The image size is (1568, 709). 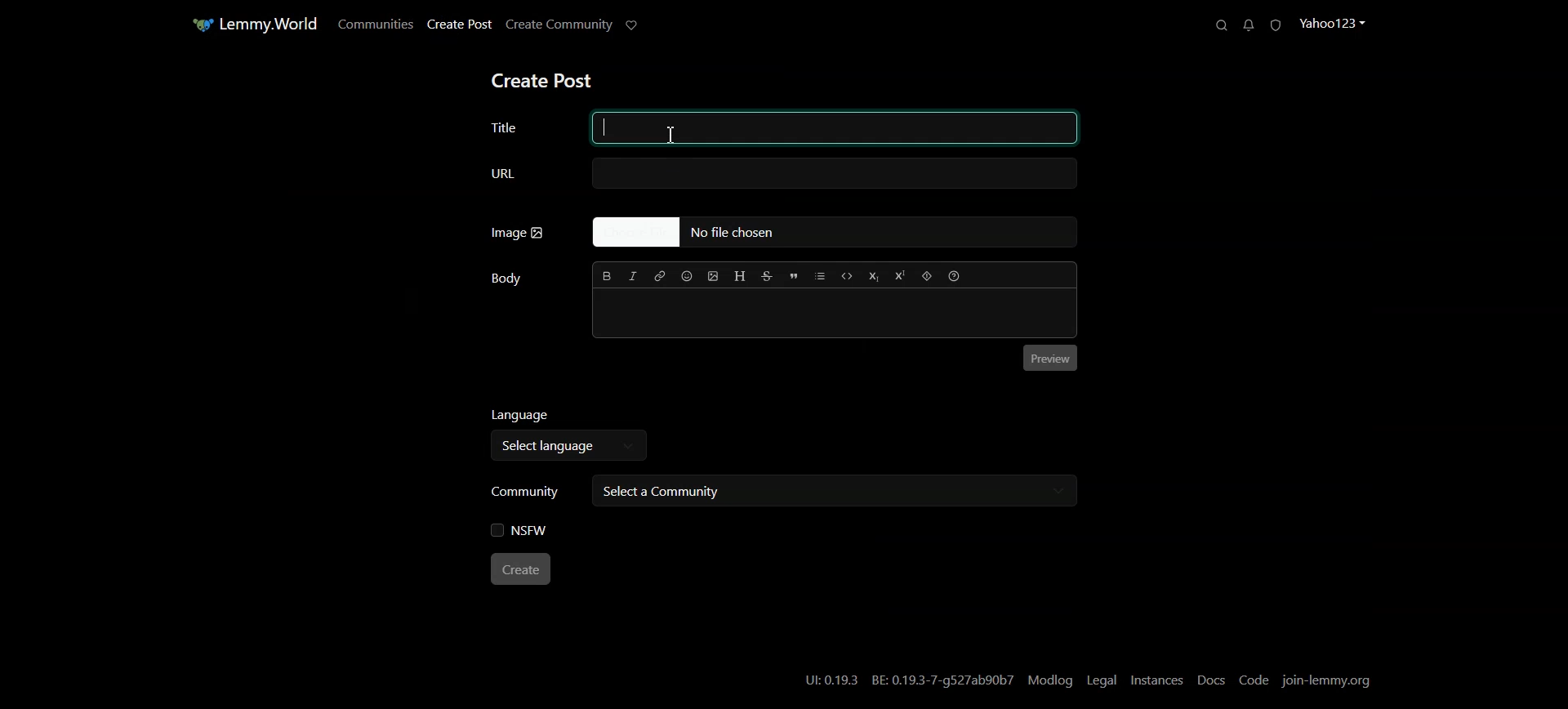 I want to click on Create Post, so click(x=541, y=82).